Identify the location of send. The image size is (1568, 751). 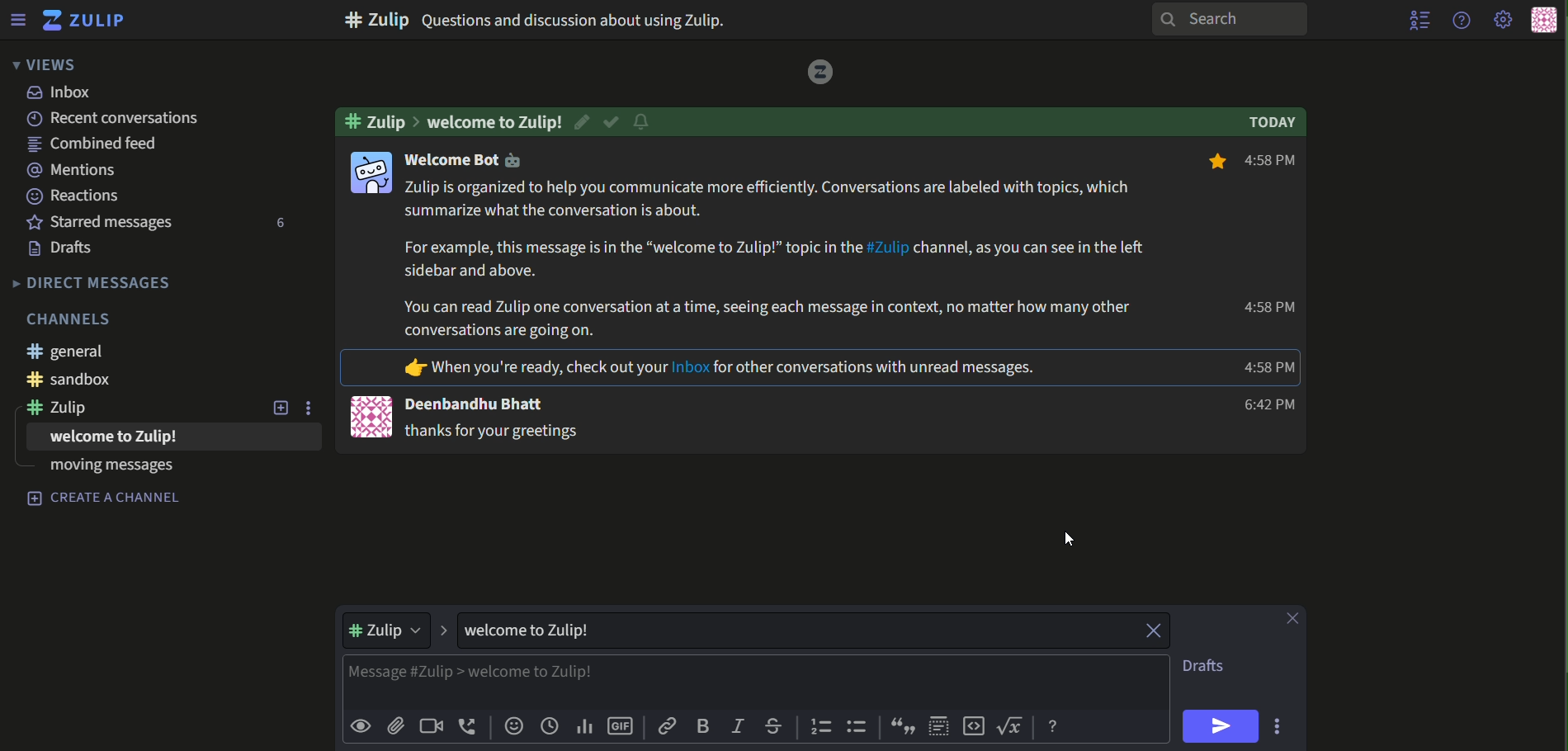
(1222, 726).